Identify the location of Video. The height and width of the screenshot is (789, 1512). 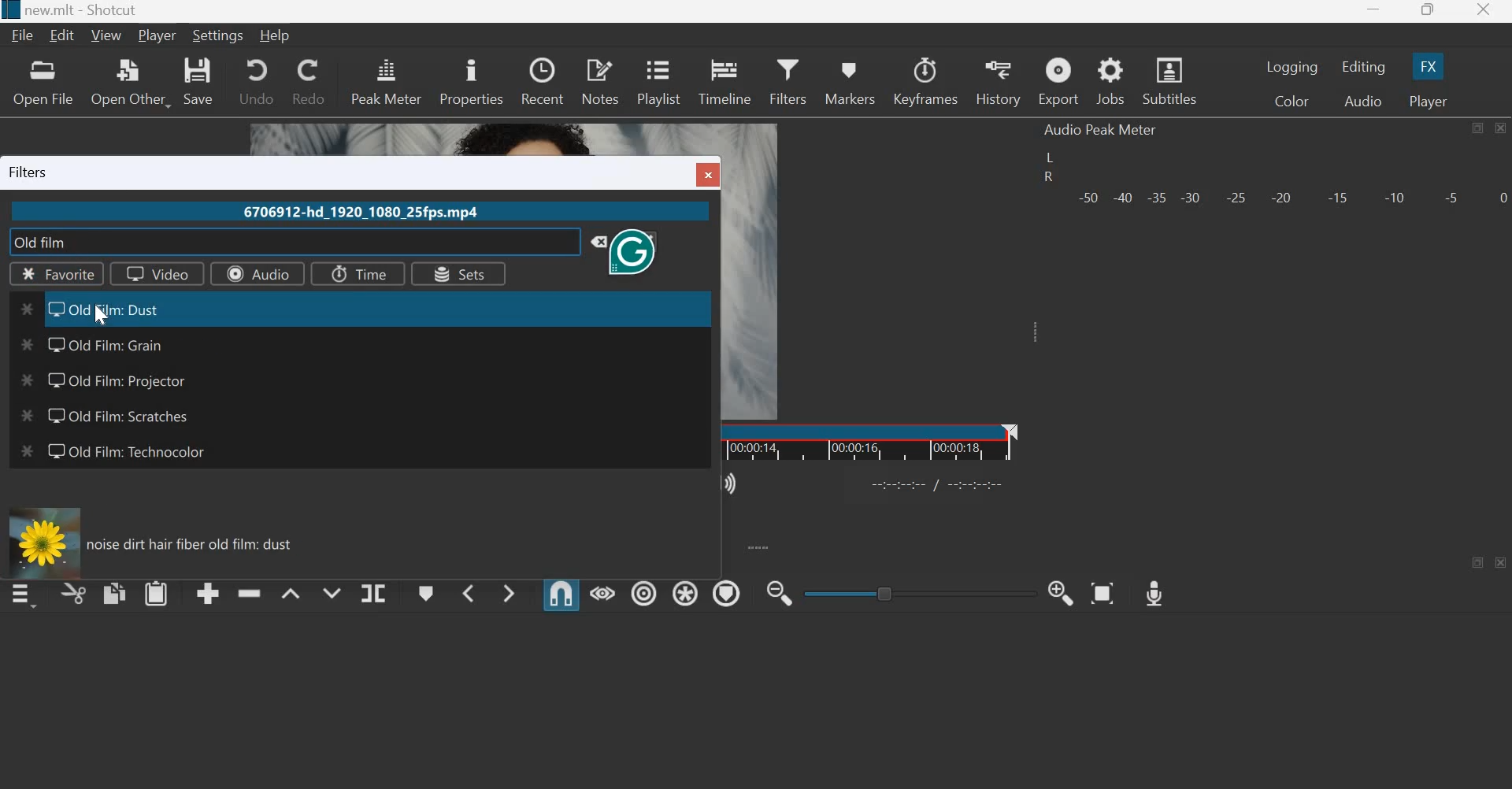
(150, 274).